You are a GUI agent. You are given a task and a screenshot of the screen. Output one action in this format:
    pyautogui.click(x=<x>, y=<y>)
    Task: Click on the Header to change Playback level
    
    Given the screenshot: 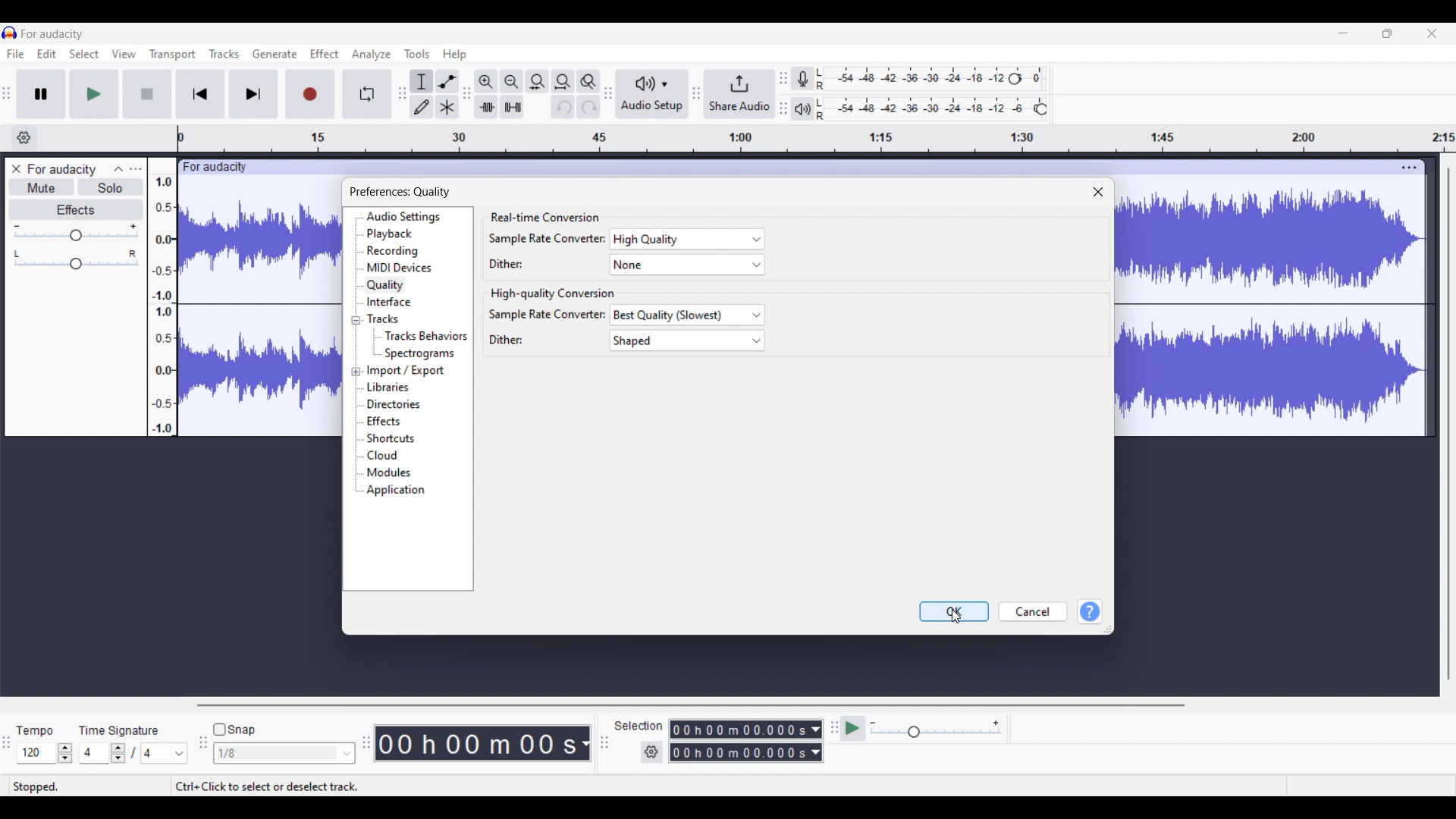 What is the action you would take?
    pyautogui.click(x=1041, y=109)
    